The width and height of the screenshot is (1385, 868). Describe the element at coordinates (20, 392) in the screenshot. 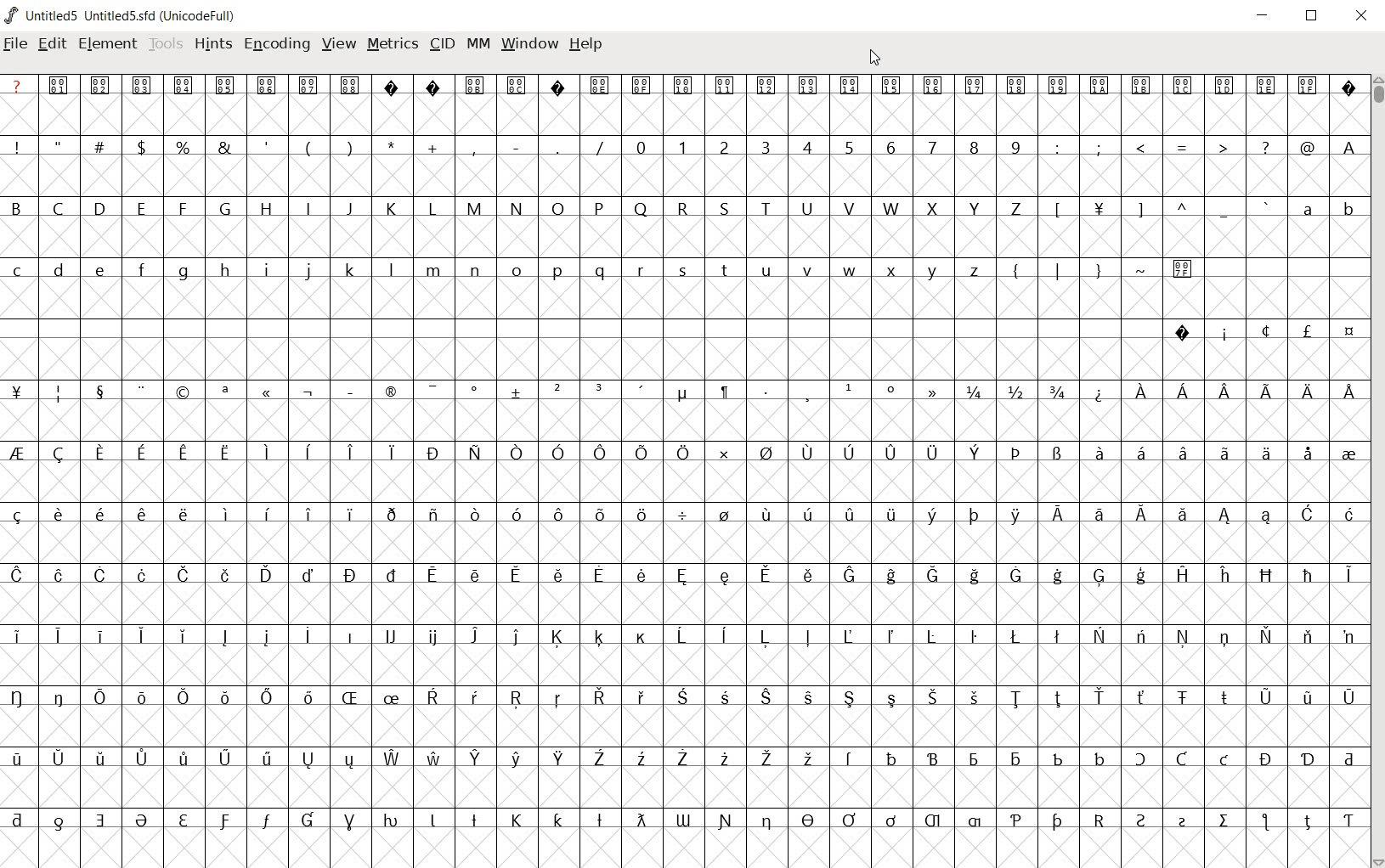

I see `Symbol` at that location.